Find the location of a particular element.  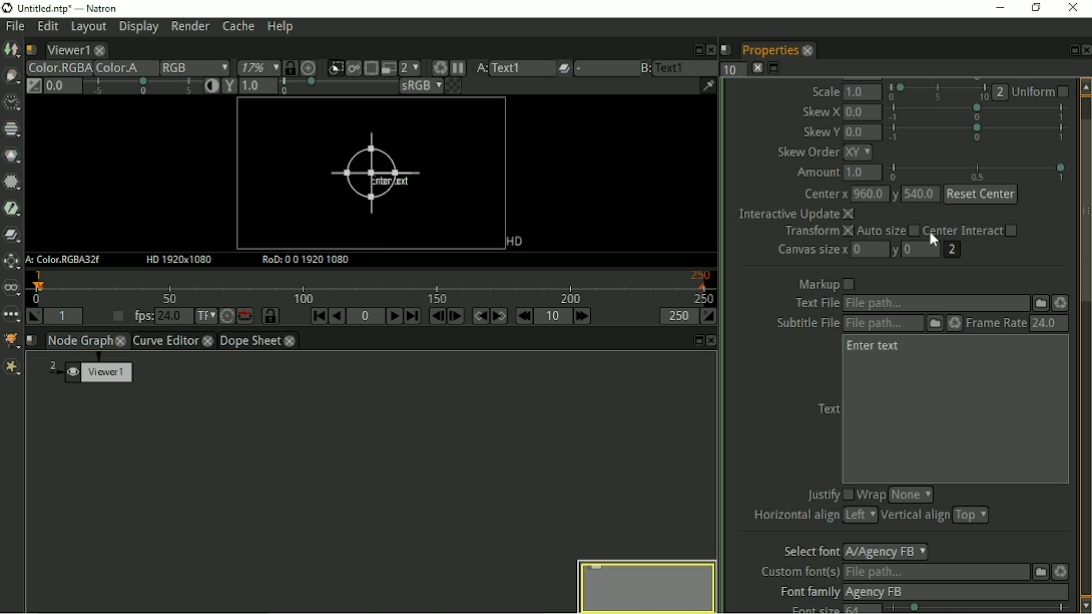

17% is located at coordinates (257, 67).